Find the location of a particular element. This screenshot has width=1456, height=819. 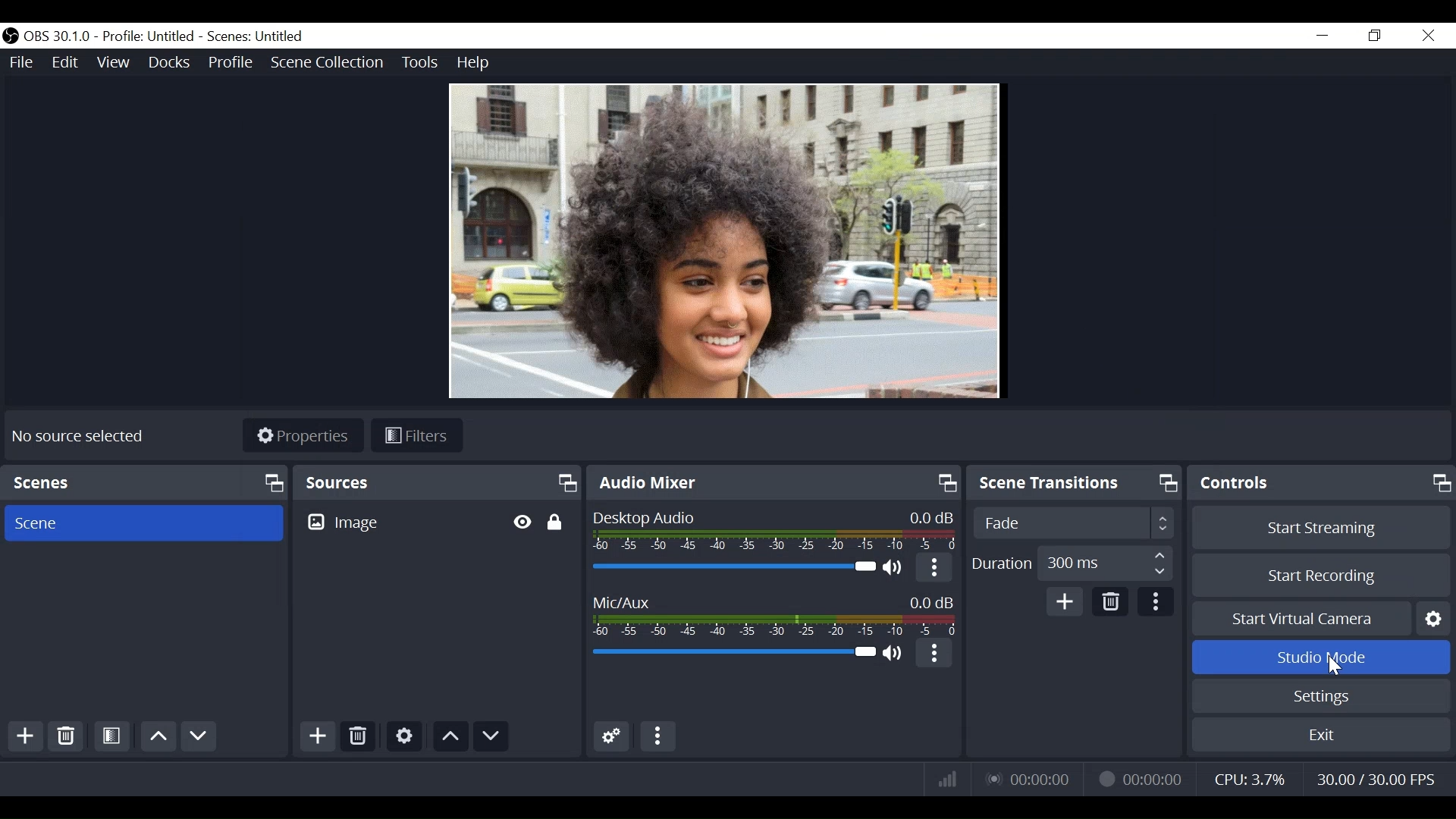

Live Status is located at coordinates (1034, 780).